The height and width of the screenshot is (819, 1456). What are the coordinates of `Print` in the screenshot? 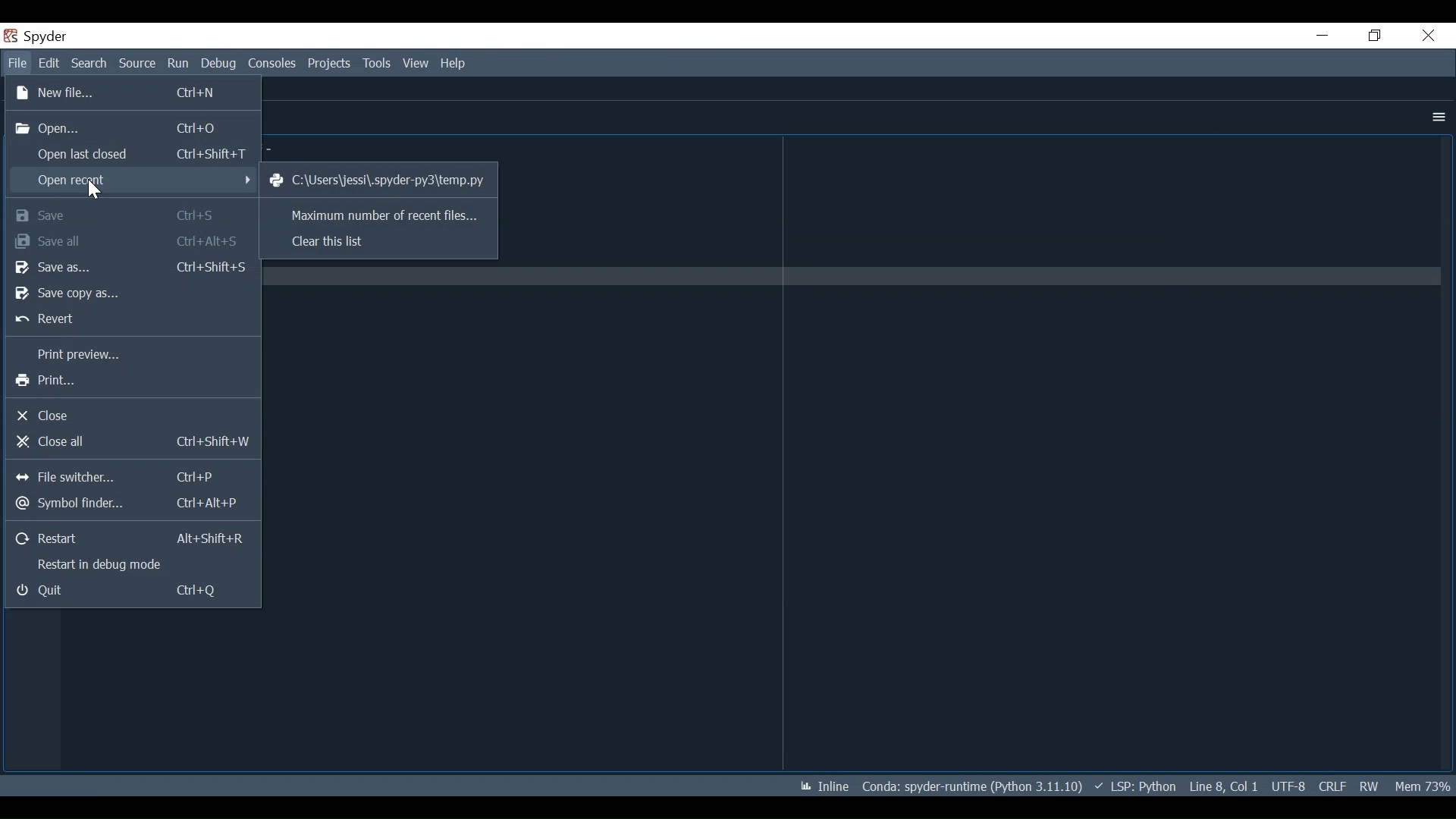 It's located at (130, 382).